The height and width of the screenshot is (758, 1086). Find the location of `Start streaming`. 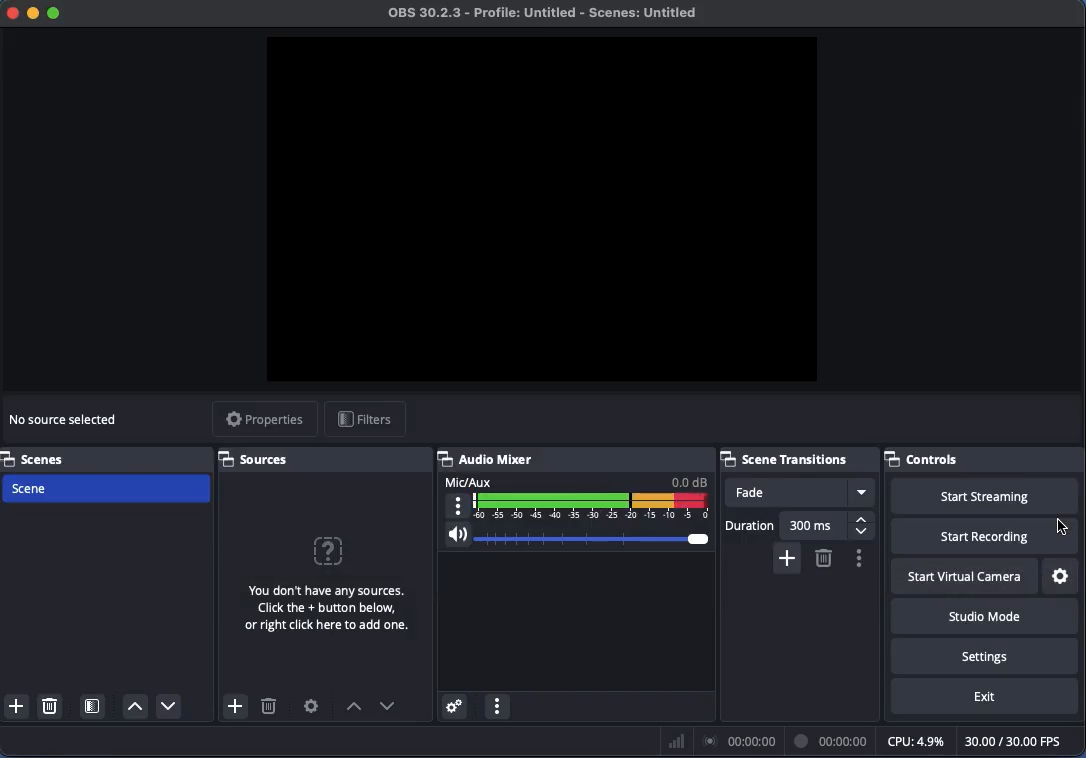

Start streaming is located at coordinates (990, 497).